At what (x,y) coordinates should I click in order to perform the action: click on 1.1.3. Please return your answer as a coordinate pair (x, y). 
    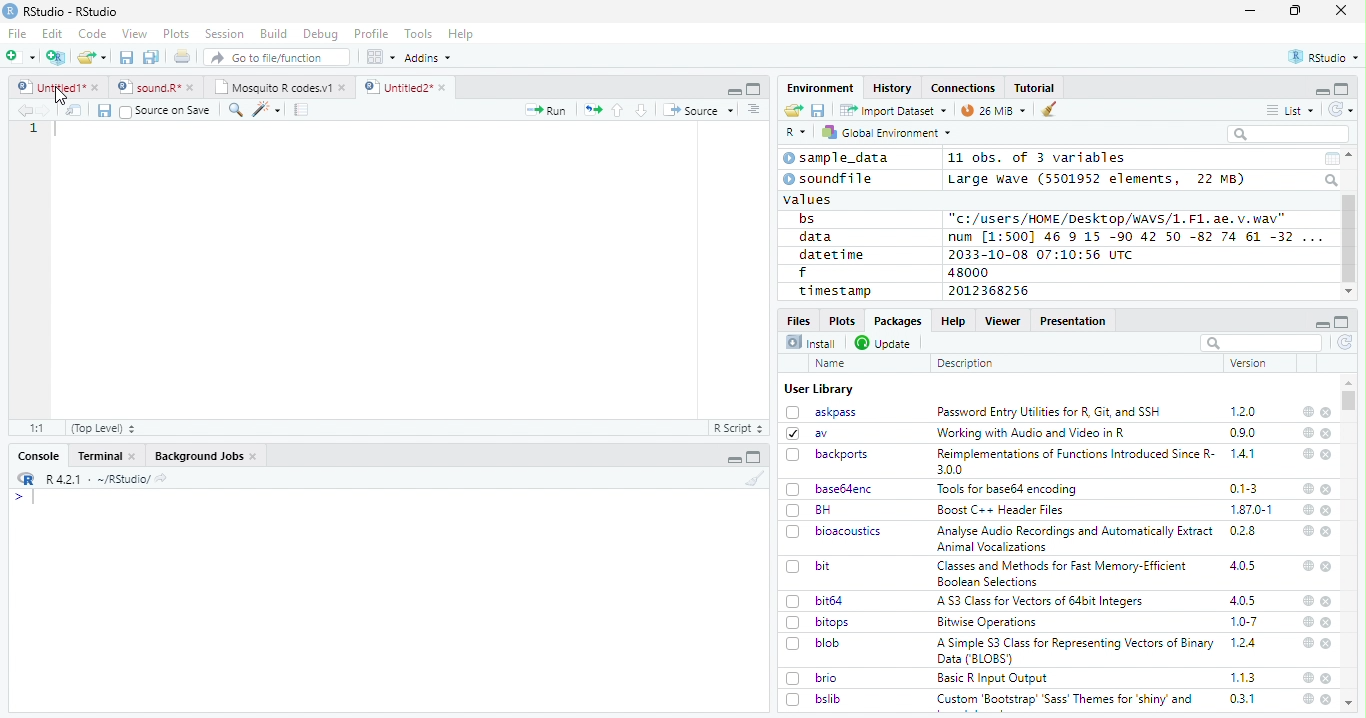
    Looking at the image, I should click on (1243, 677).